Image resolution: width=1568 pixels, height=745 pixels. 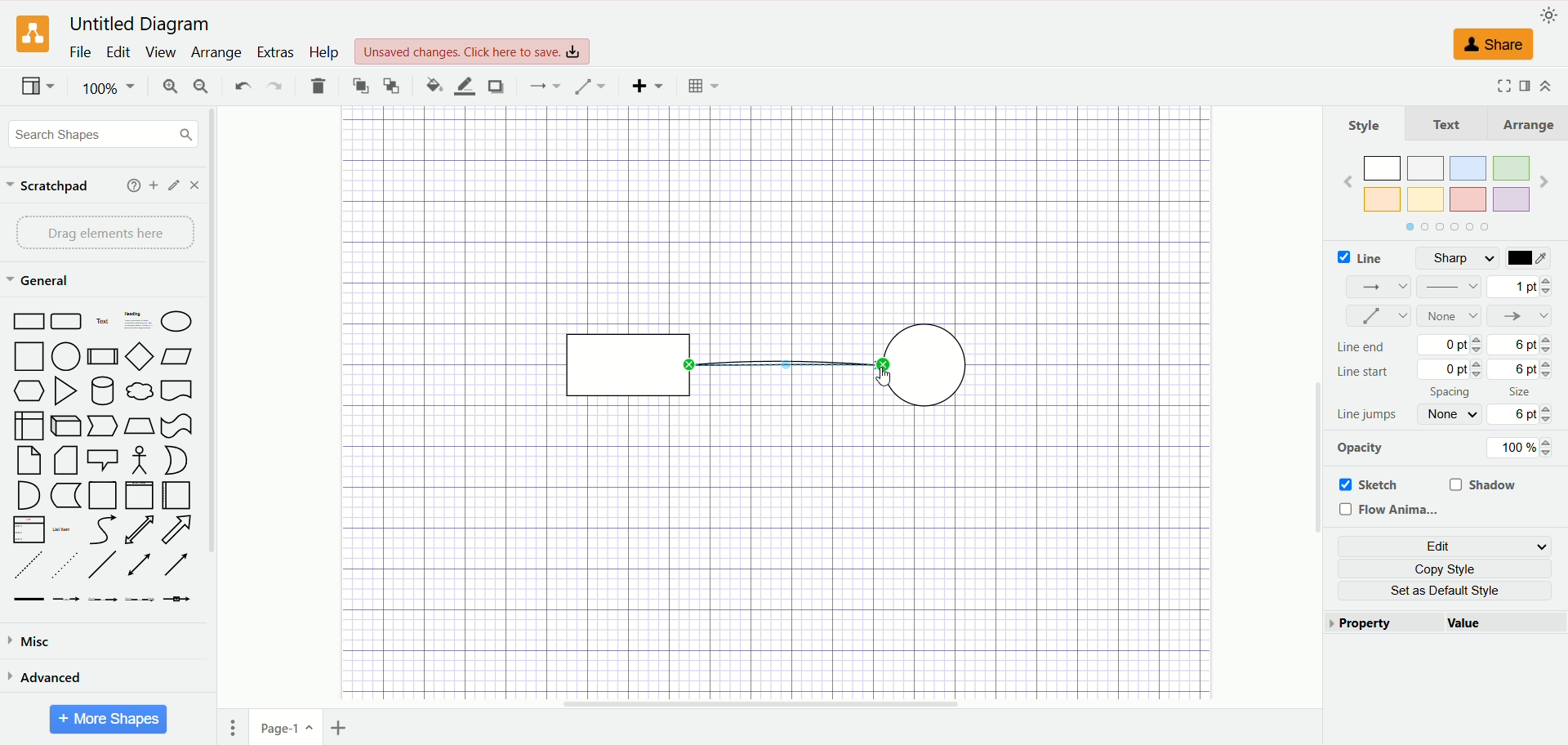 I want to click on help, so click(x=324, y=53).